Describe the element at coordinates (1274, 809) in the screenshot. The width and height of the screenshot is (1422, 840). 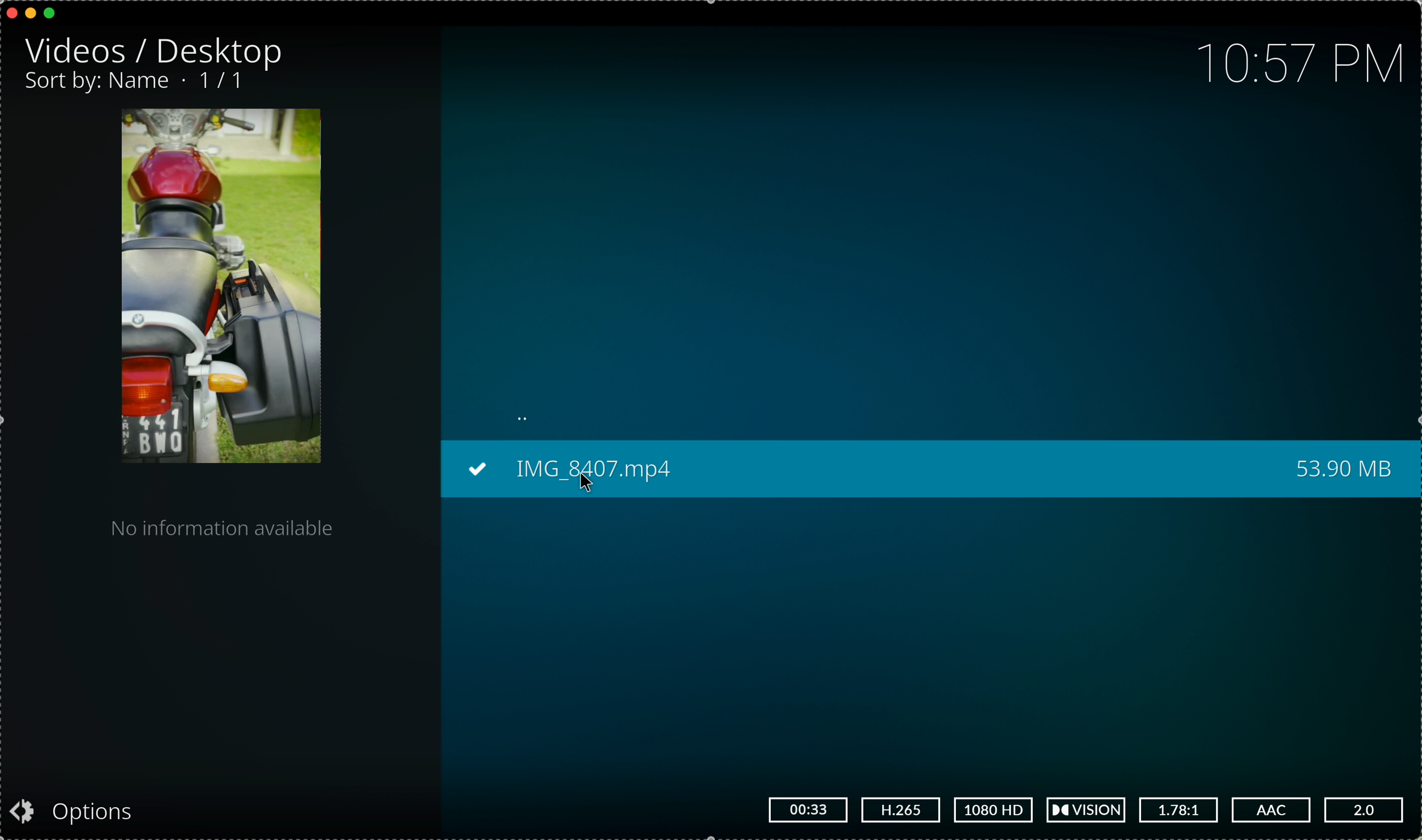
I see `AAC` at that location.